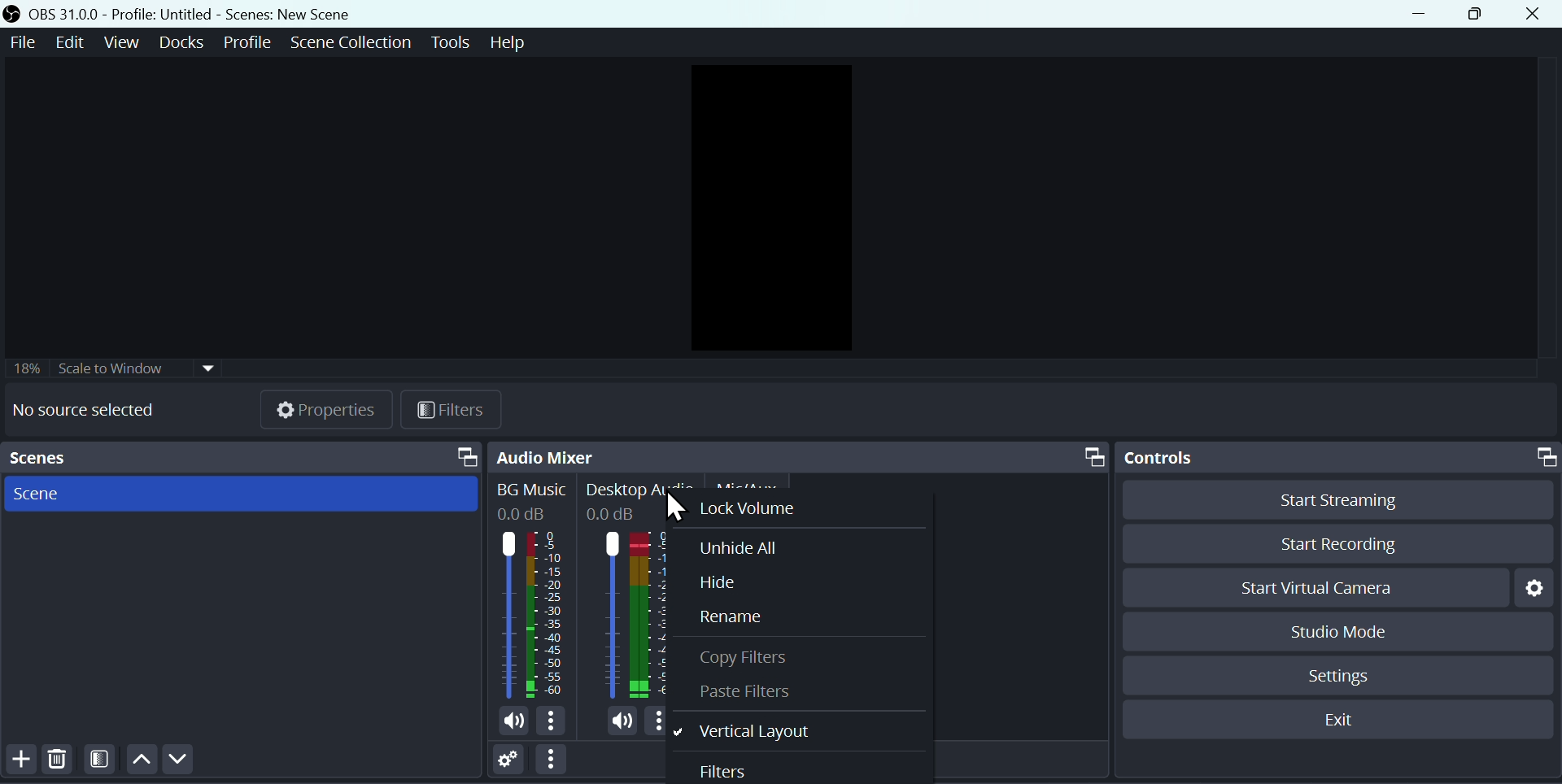 This screenshot has width=1562, height=784. Describe the element at coordinates (1328, 544) in the screenshot. I see `Start recording` at that location.